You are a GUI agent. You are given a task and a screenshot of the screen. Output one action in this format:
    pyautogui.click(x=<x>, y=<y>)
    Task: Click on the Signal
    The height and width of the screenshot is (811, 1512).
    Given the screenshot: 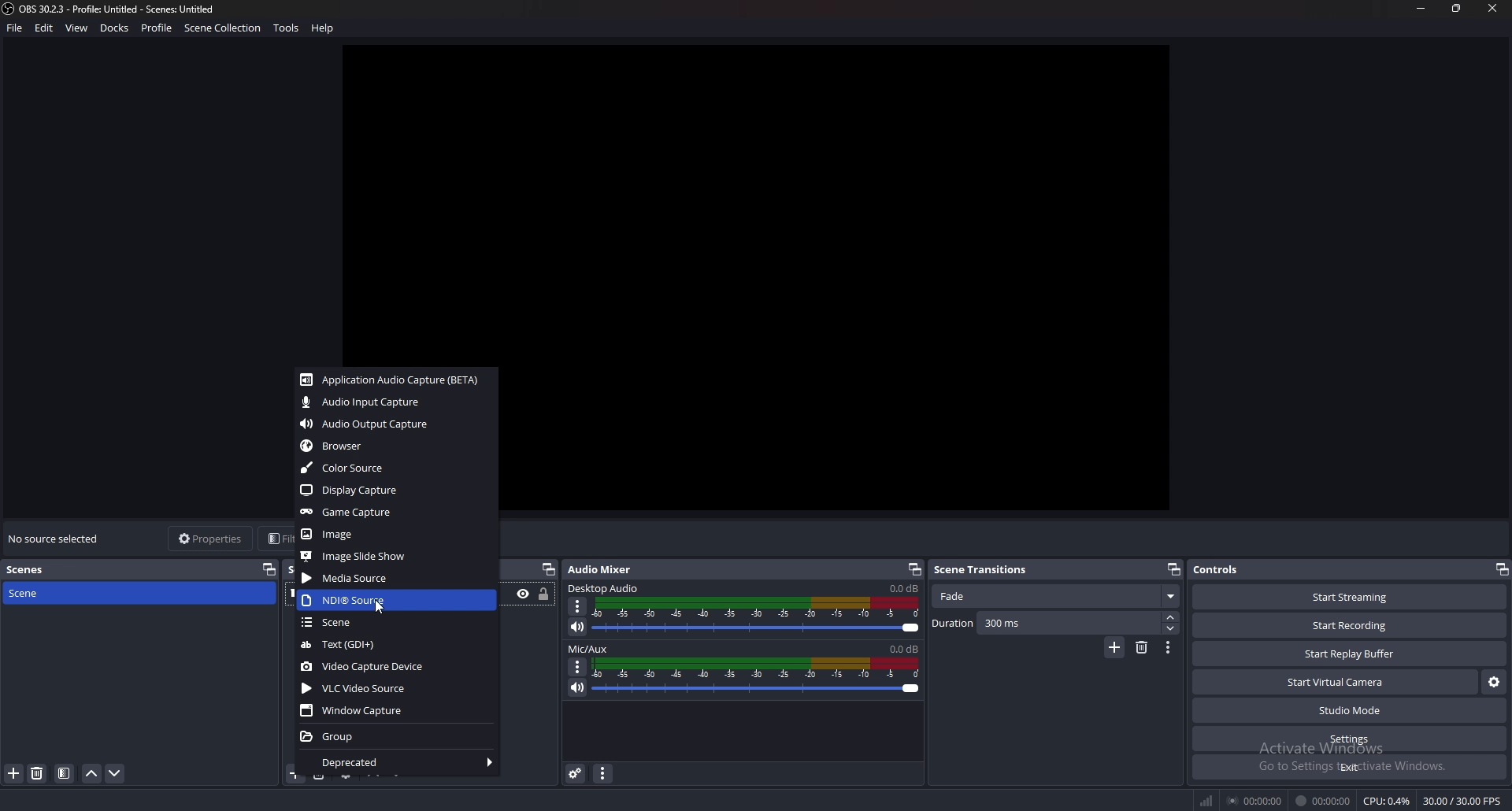 What is the action you would take?
    pyautogui.click(x=1204, y=798)
    